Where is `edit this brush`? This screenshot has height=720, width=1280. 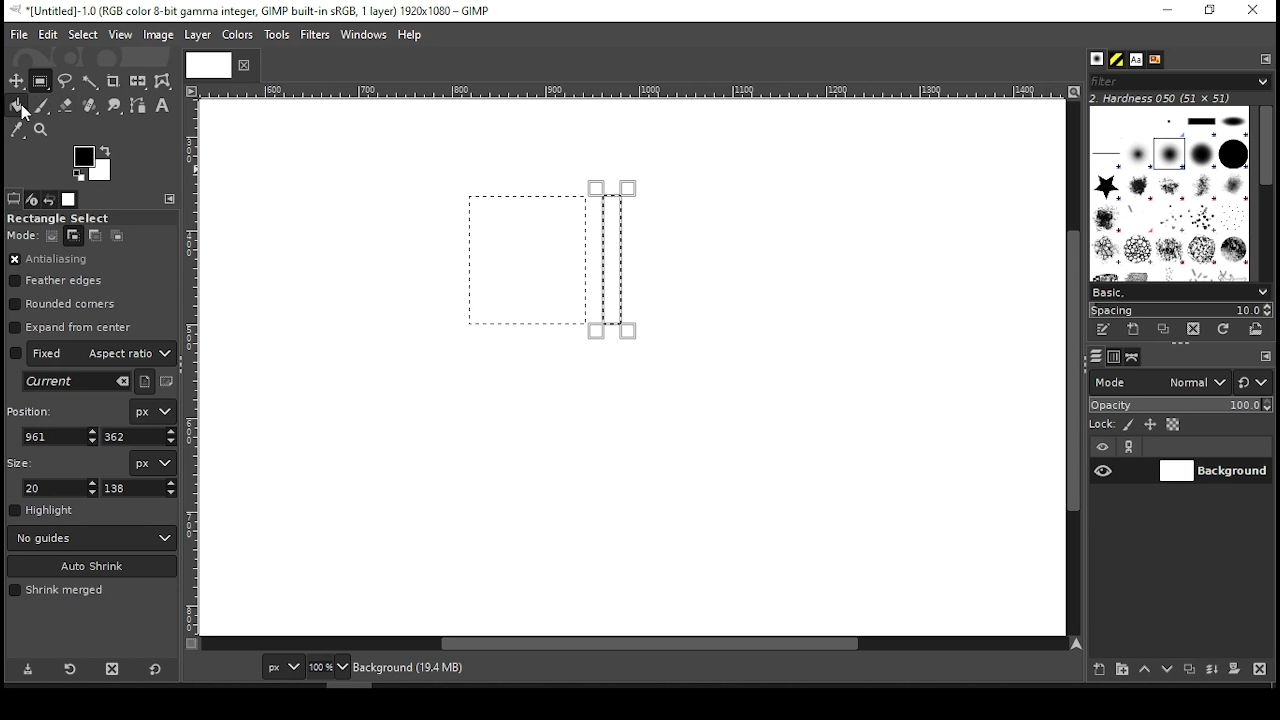 edit this brush is located at coordinates (1102, 331).